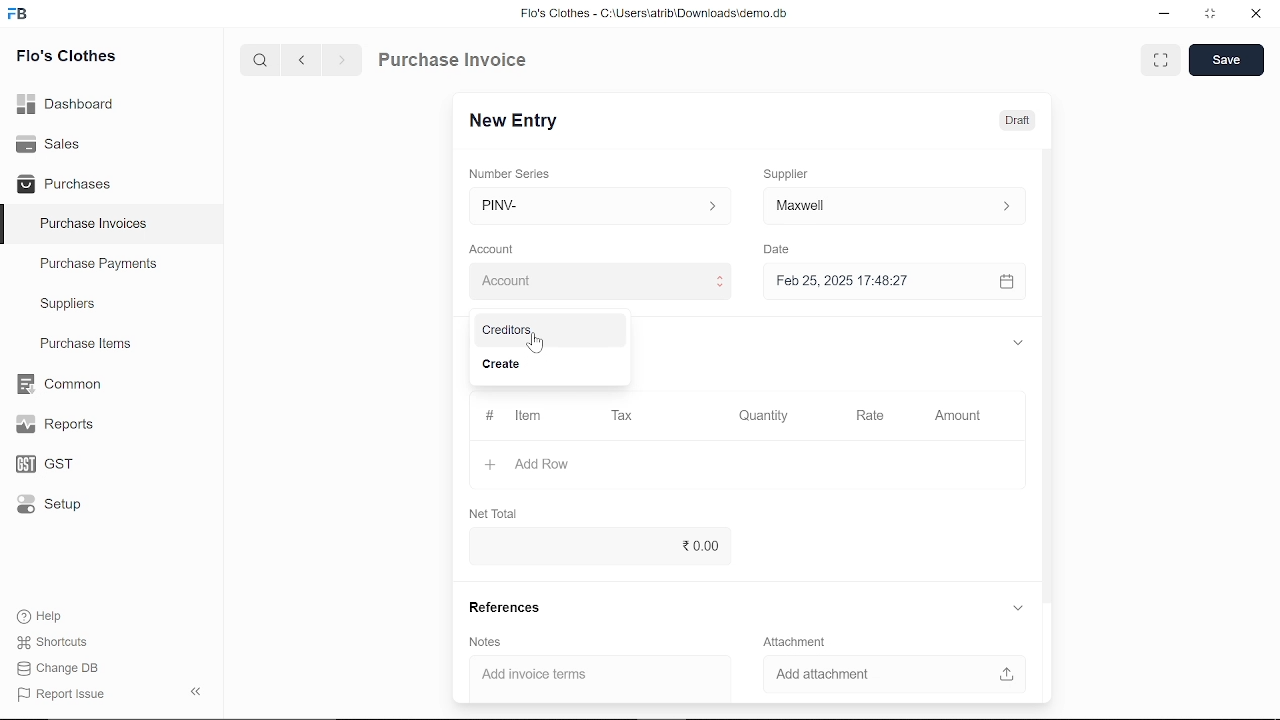  I want to click on Common, so click(61, 384).